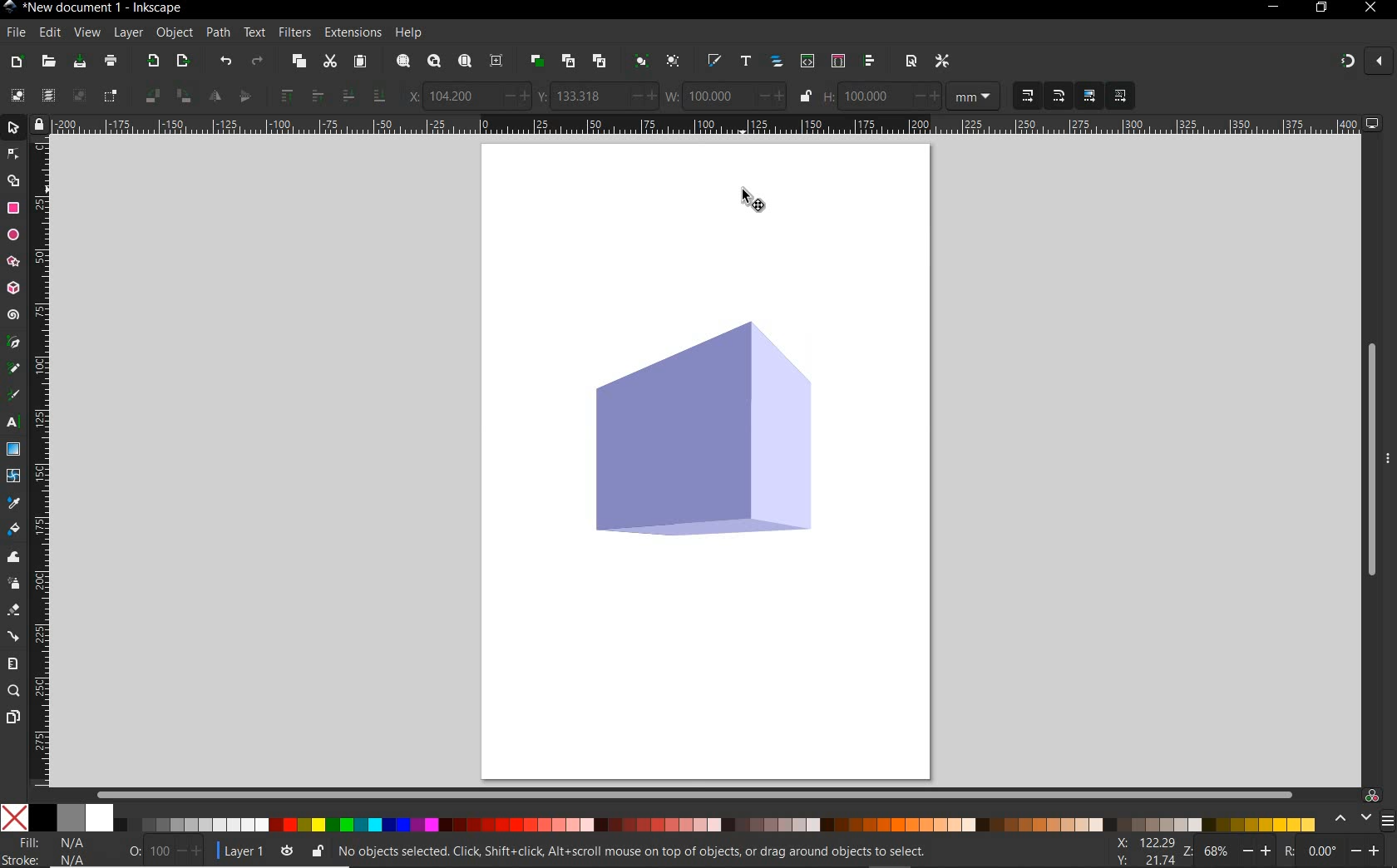  What do you see at coordinates (434, 60) in the screenshot?
I see `zoom drawing` at bounding box center [434, 60].